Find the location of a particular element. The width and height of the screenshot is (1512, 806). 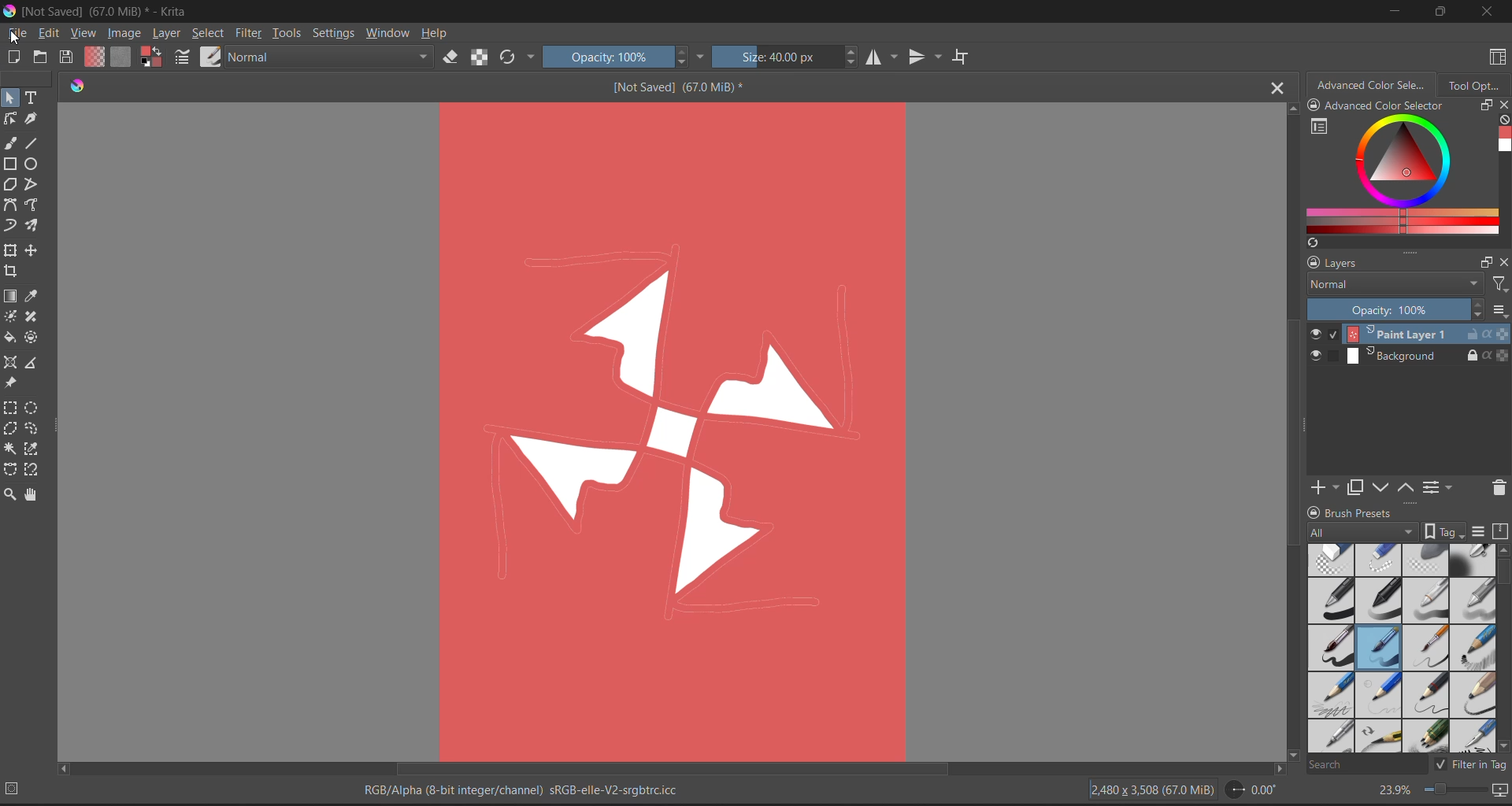

[Not Saved] (67.0 MiB) * is located at coordinates (674, 88).